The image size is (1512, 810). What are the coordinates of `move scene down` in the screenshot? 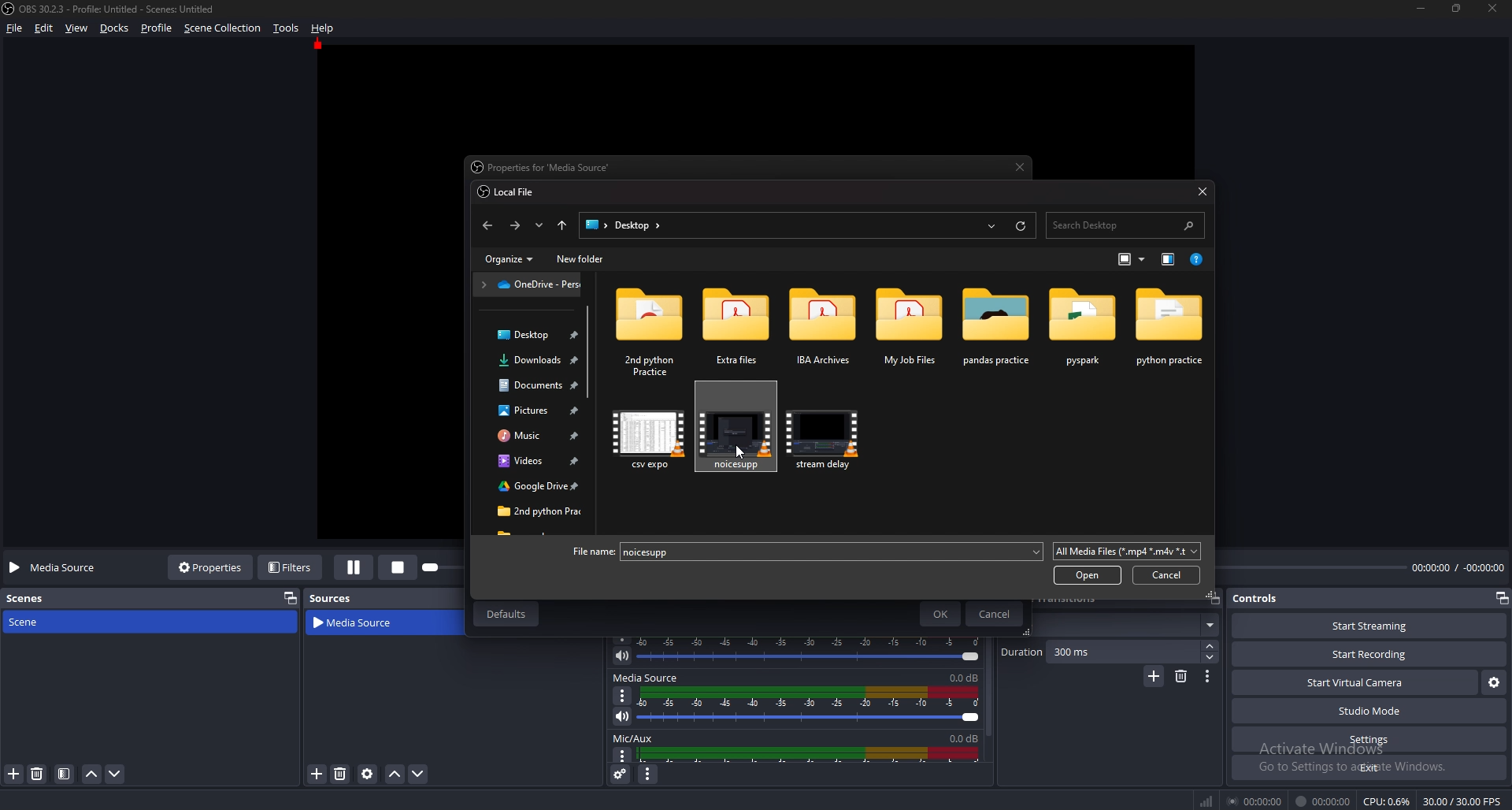 It's located at (116, 773).